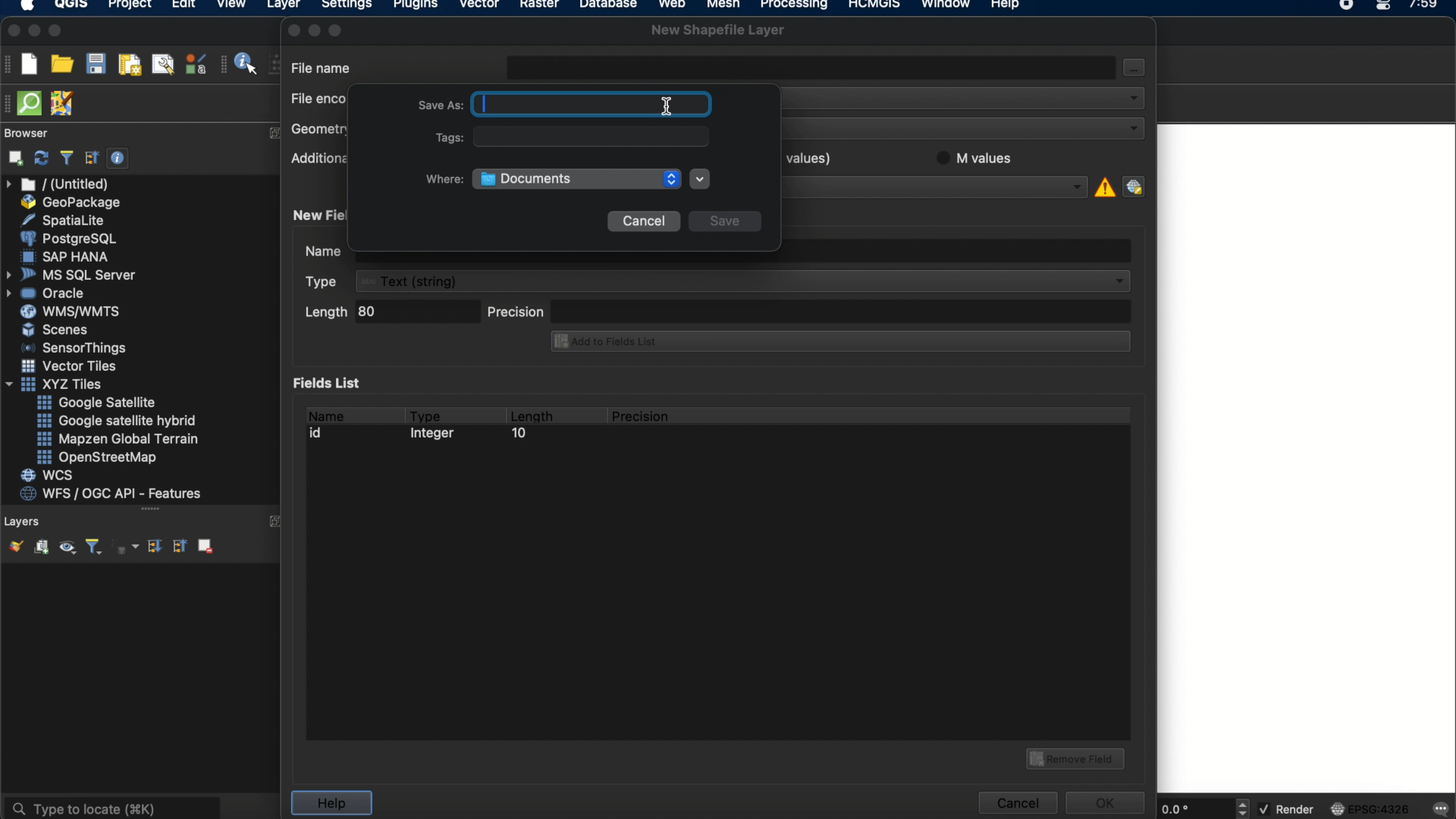 The height and width of the screenshot is (819, 1456). I want to click on current crs, so click(1370, 808).